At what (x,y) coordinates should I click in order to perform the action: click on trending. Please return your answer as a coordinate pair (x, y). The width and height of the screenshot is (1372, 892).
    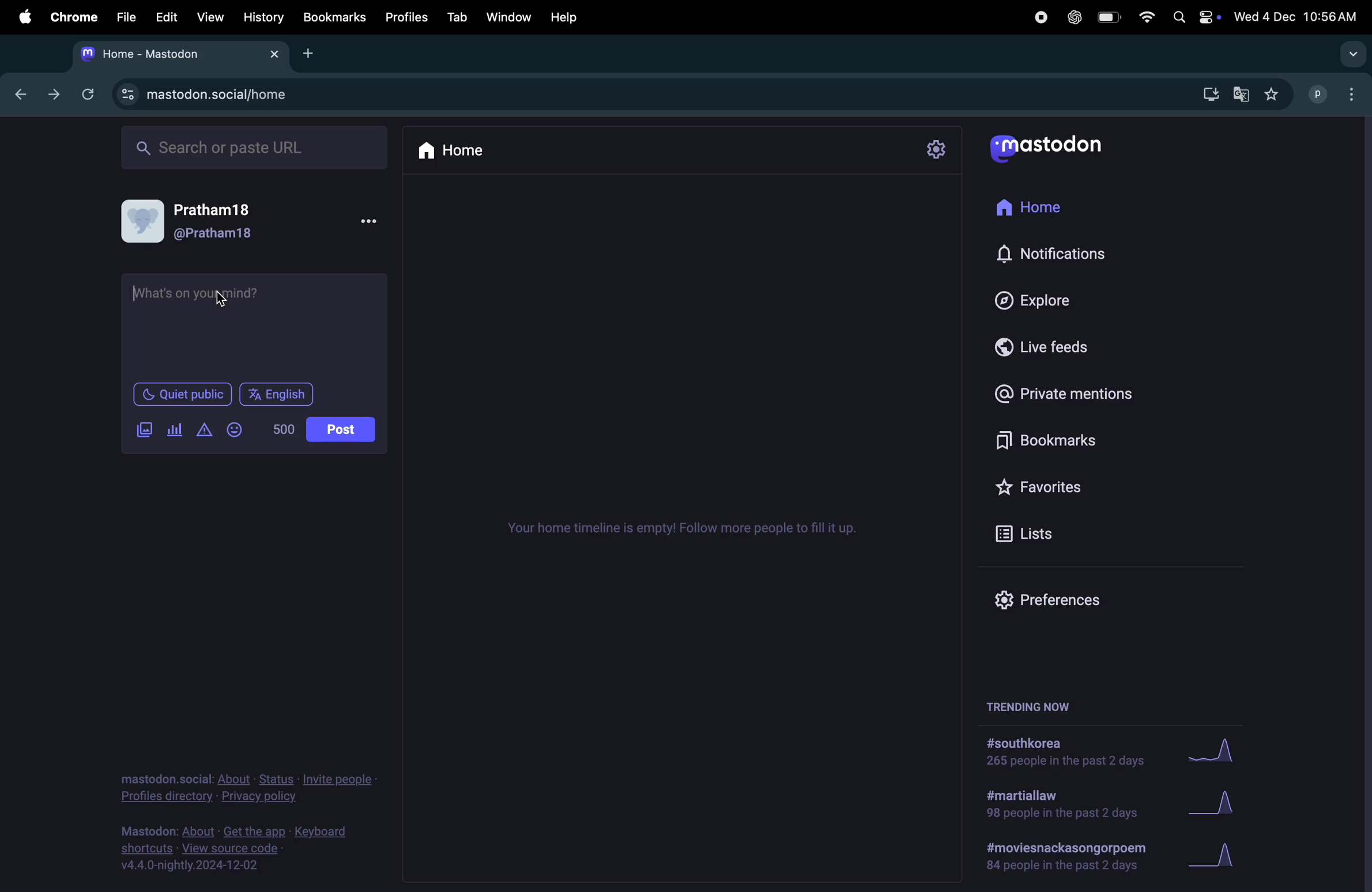
    Looking at the image, I should click on (1066, 855).